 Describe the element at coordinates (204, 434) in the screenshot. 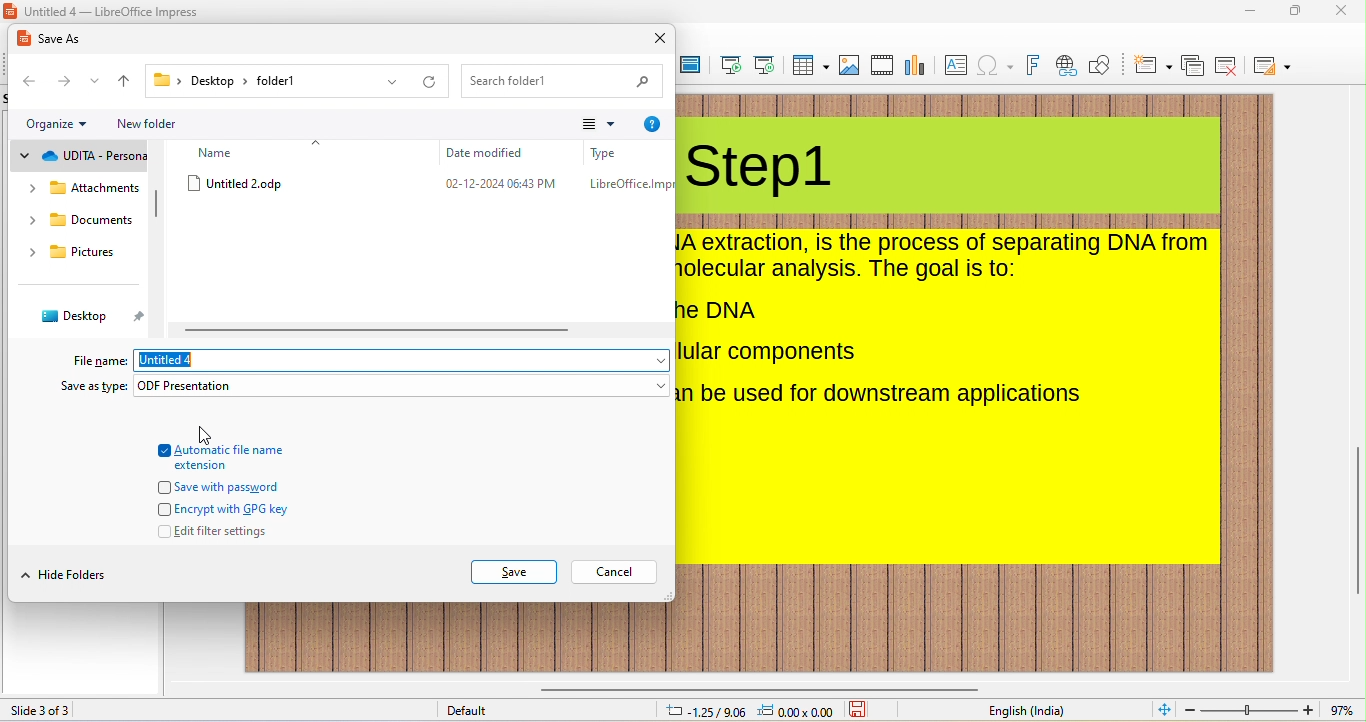

I see `cursor` at that location.